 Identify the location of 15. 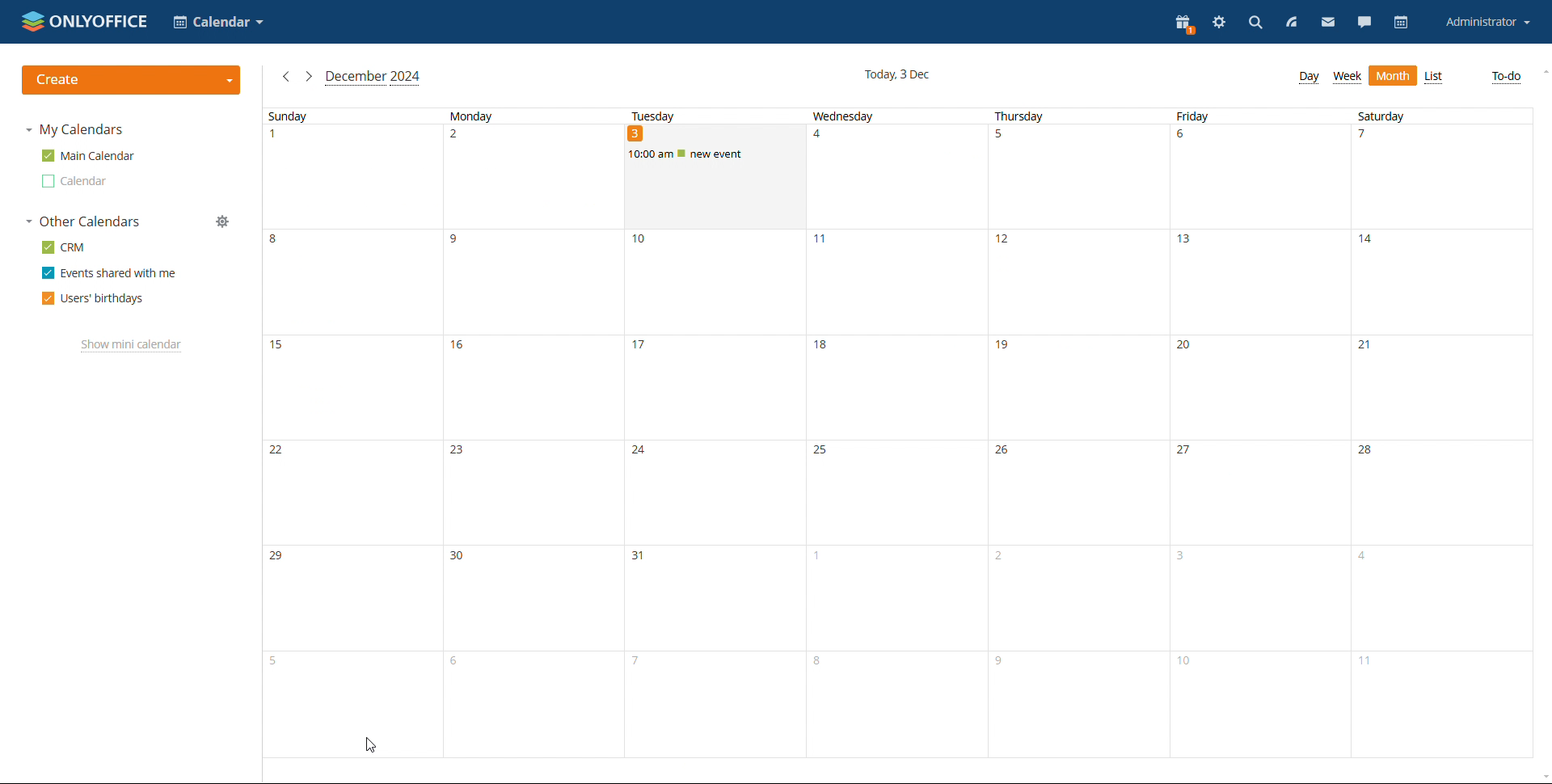
(352, 387).